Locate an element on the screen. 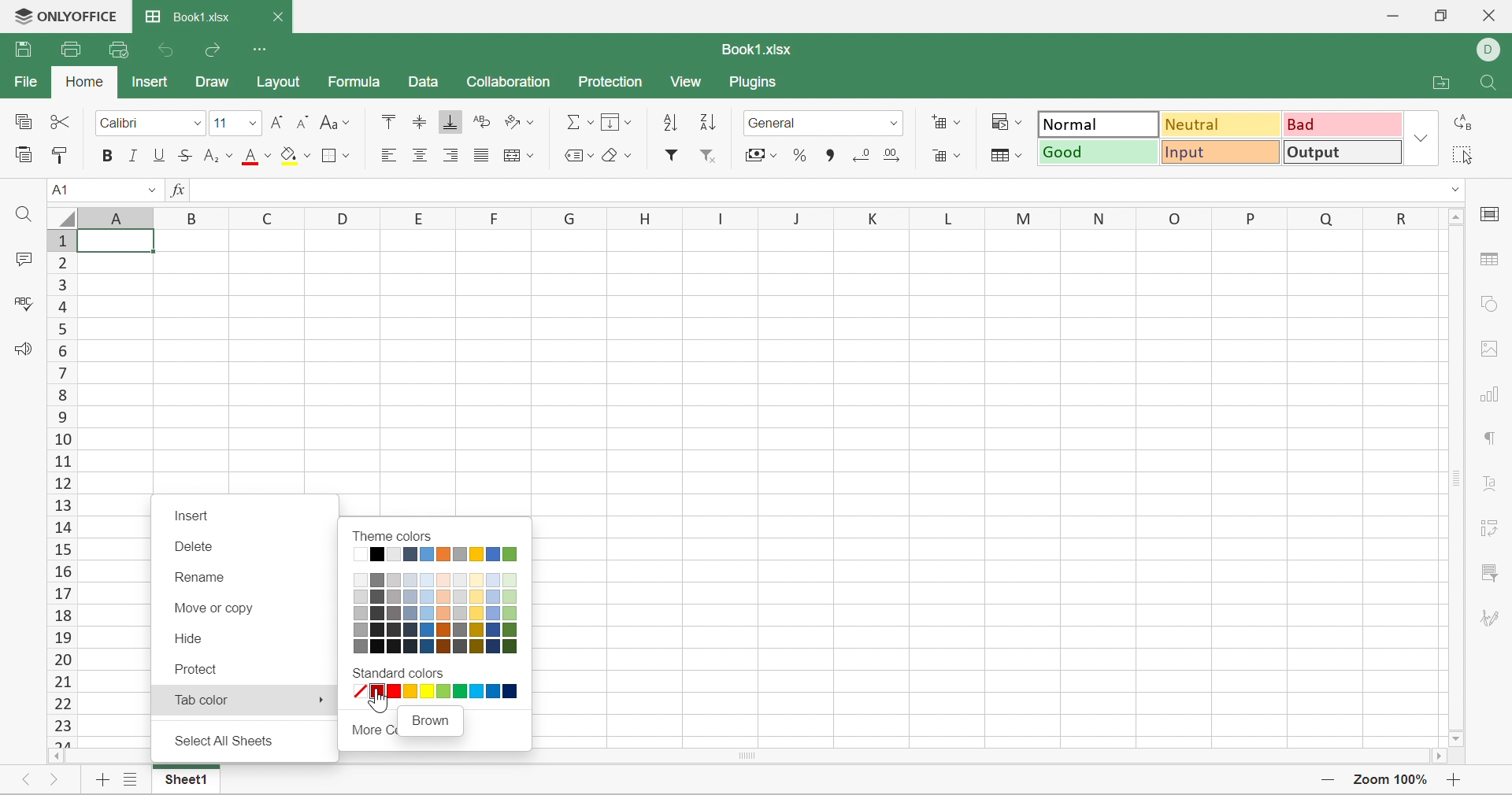  Minimize is located at coordinates (1392, 16).